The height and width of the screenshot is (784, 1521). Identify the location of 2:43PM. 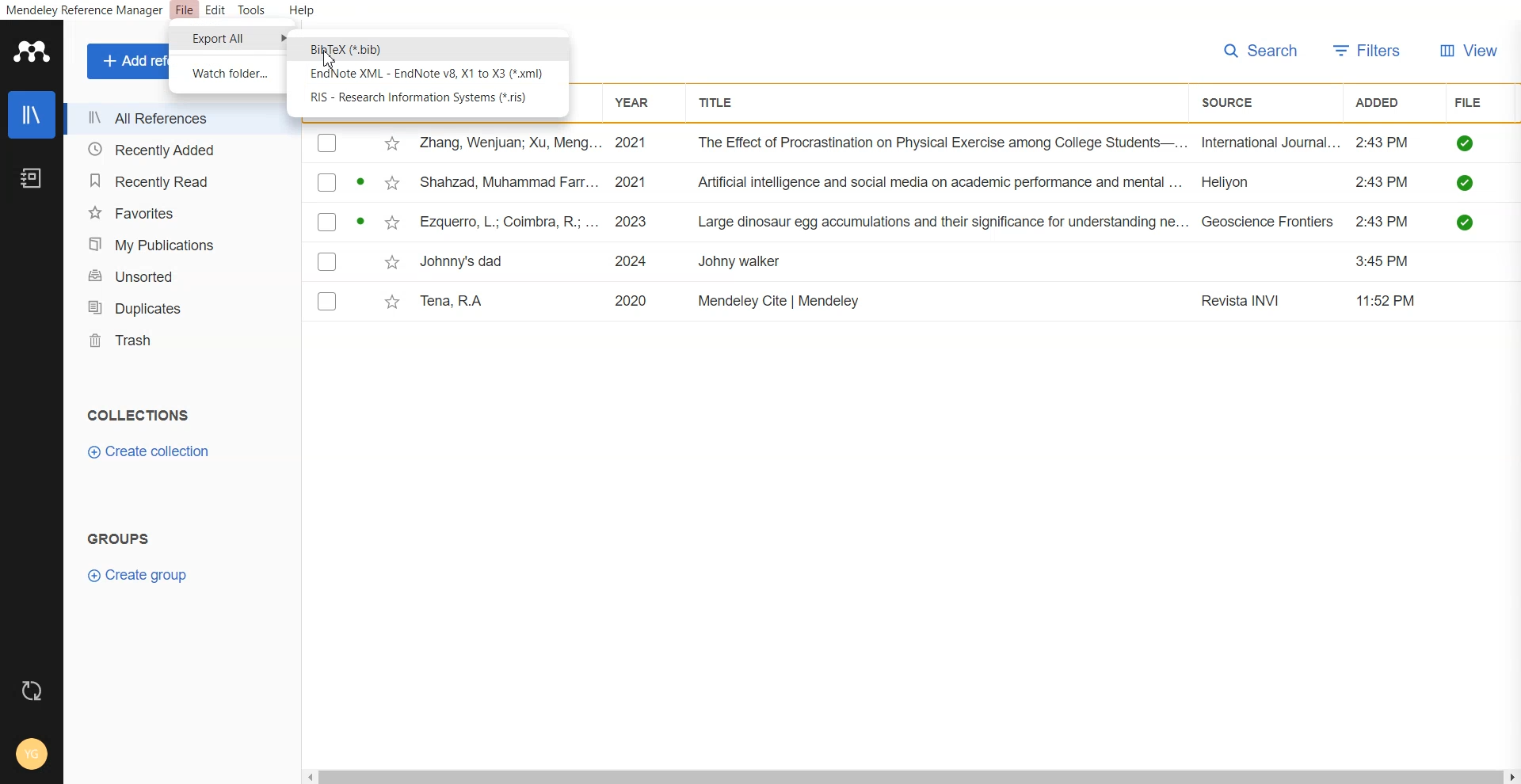
(1382, 182).